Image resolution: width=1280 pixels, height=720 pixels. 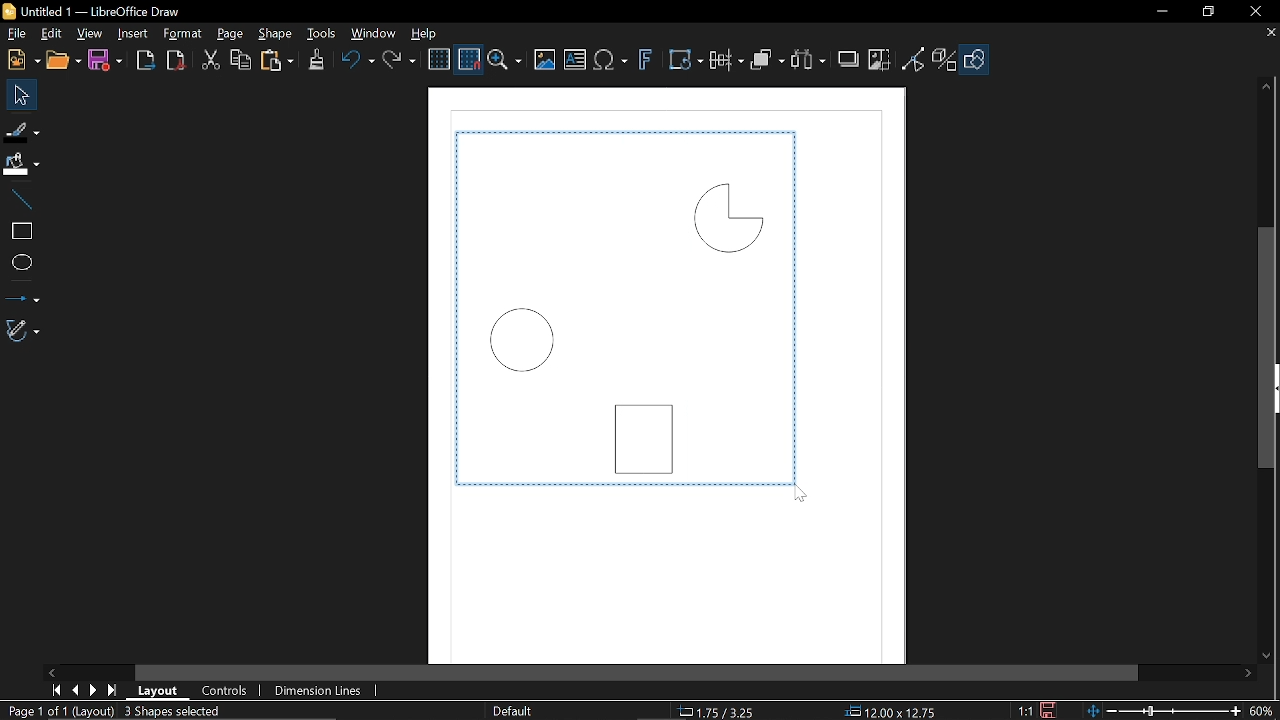 I want to click on Dimension lines, so click(x=314, y=691).